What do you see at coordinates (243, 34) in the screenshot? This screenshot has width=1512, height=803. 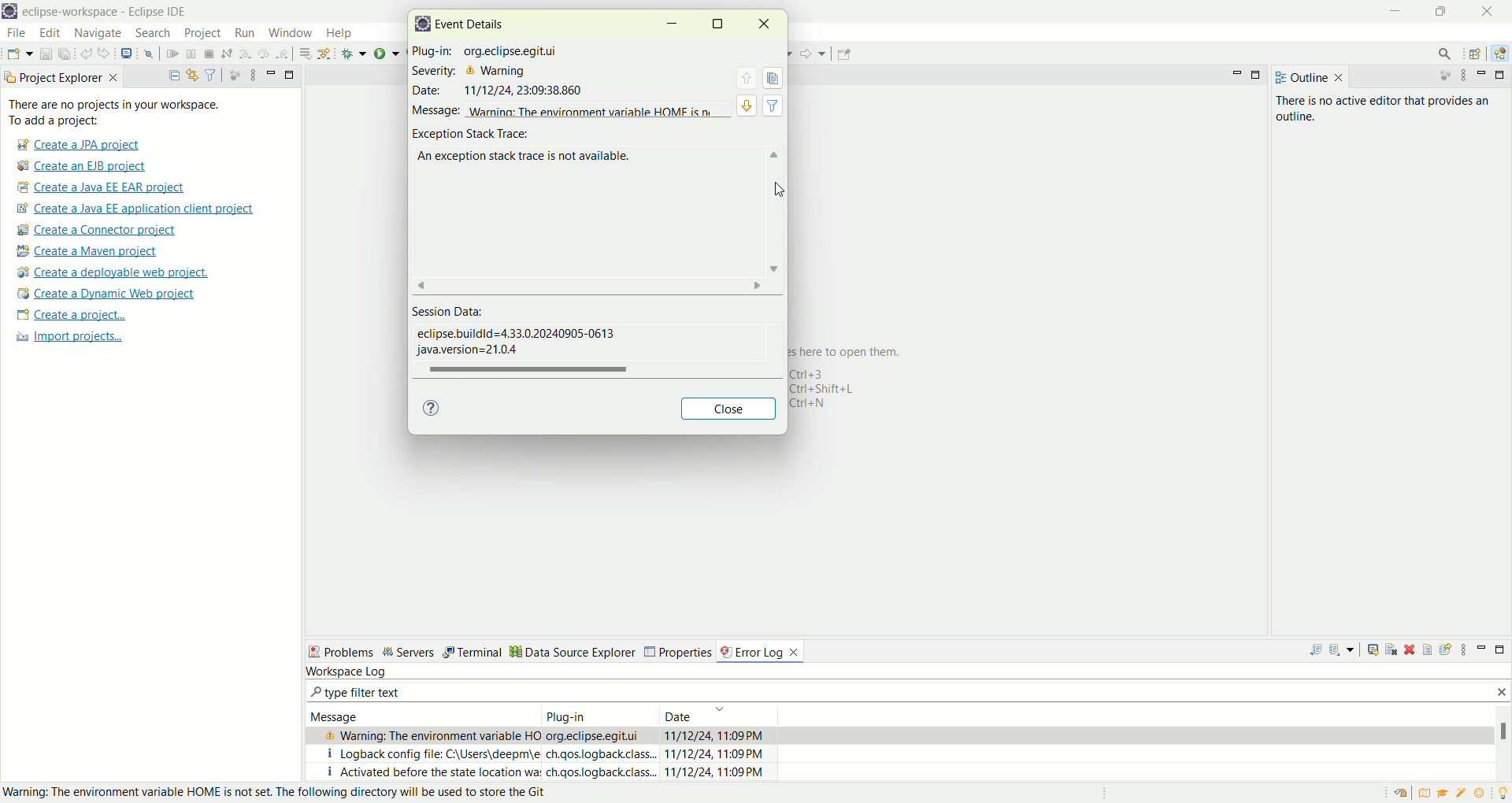 I see `run` at bounding box center [243, 34].